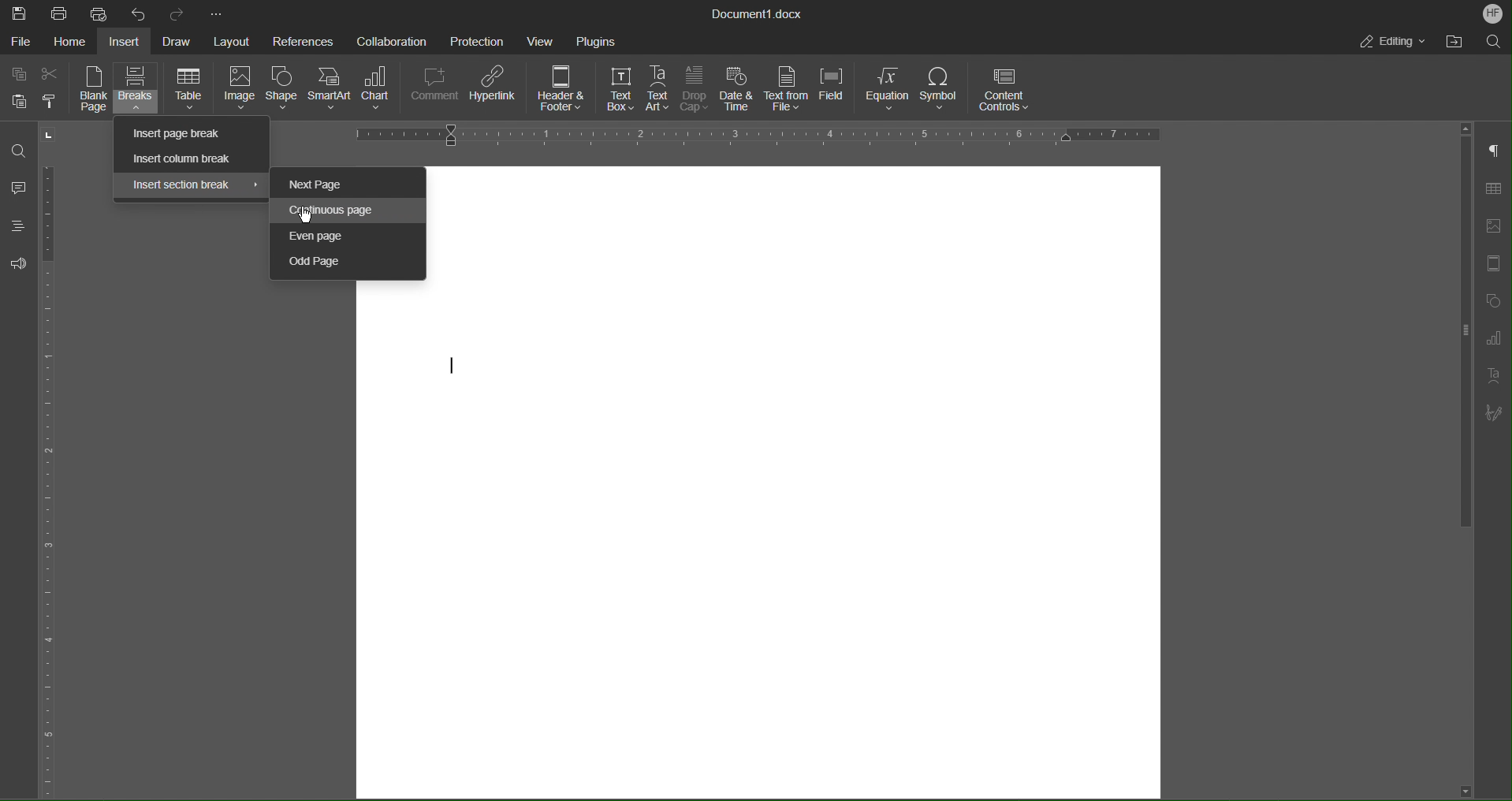  Describe the element at coordinates (1492, 227) in the screenshot. I see `Image Settings` at that location.